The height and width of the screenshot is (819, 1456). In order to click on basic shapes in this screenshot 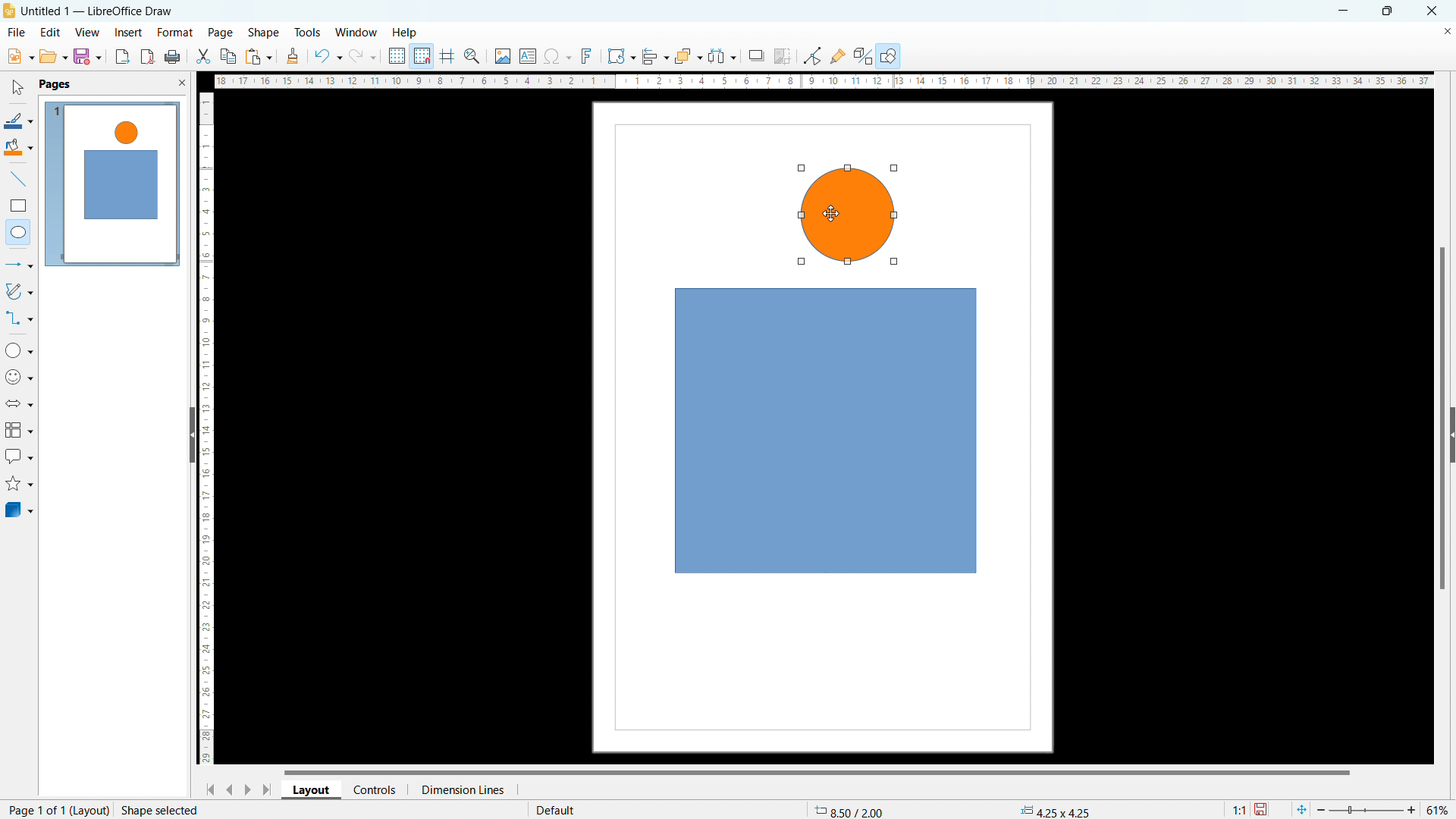, I will do `click(19, 350)`.